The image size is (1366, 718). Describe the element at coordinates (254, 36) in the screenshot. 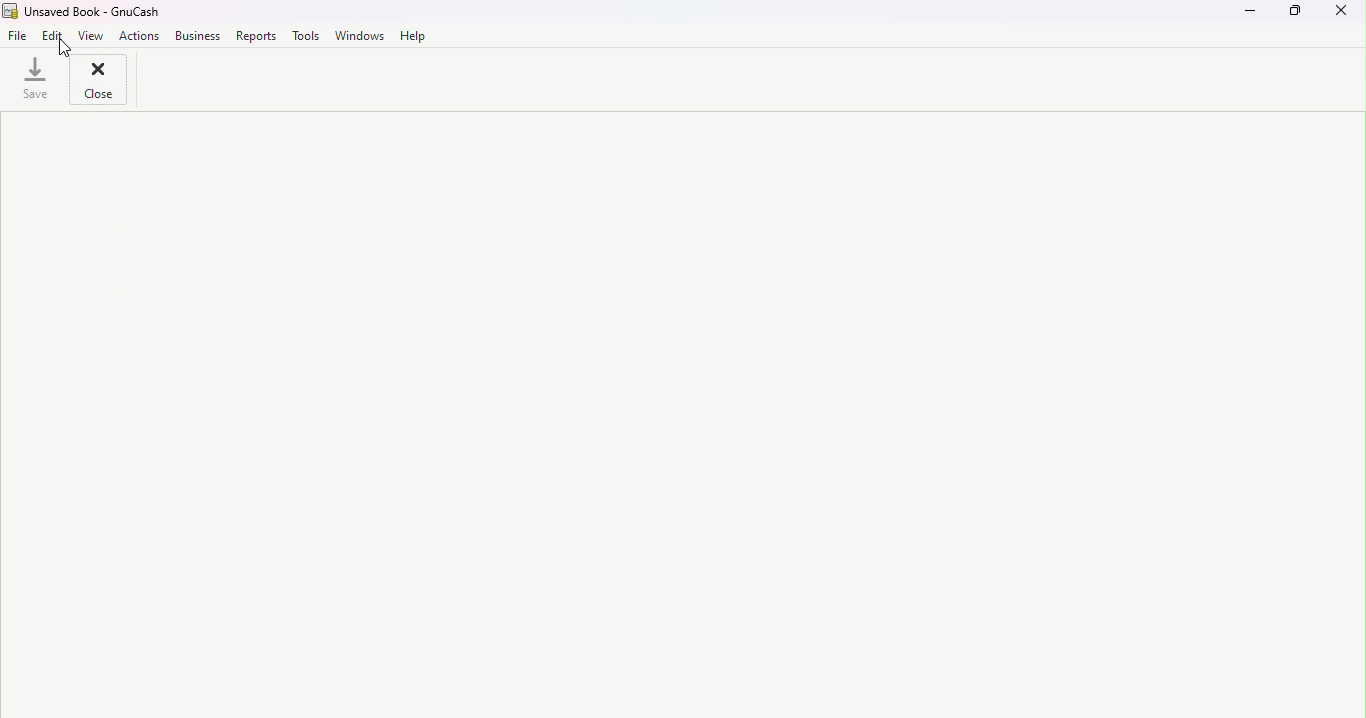

I see `Reports` at that location.